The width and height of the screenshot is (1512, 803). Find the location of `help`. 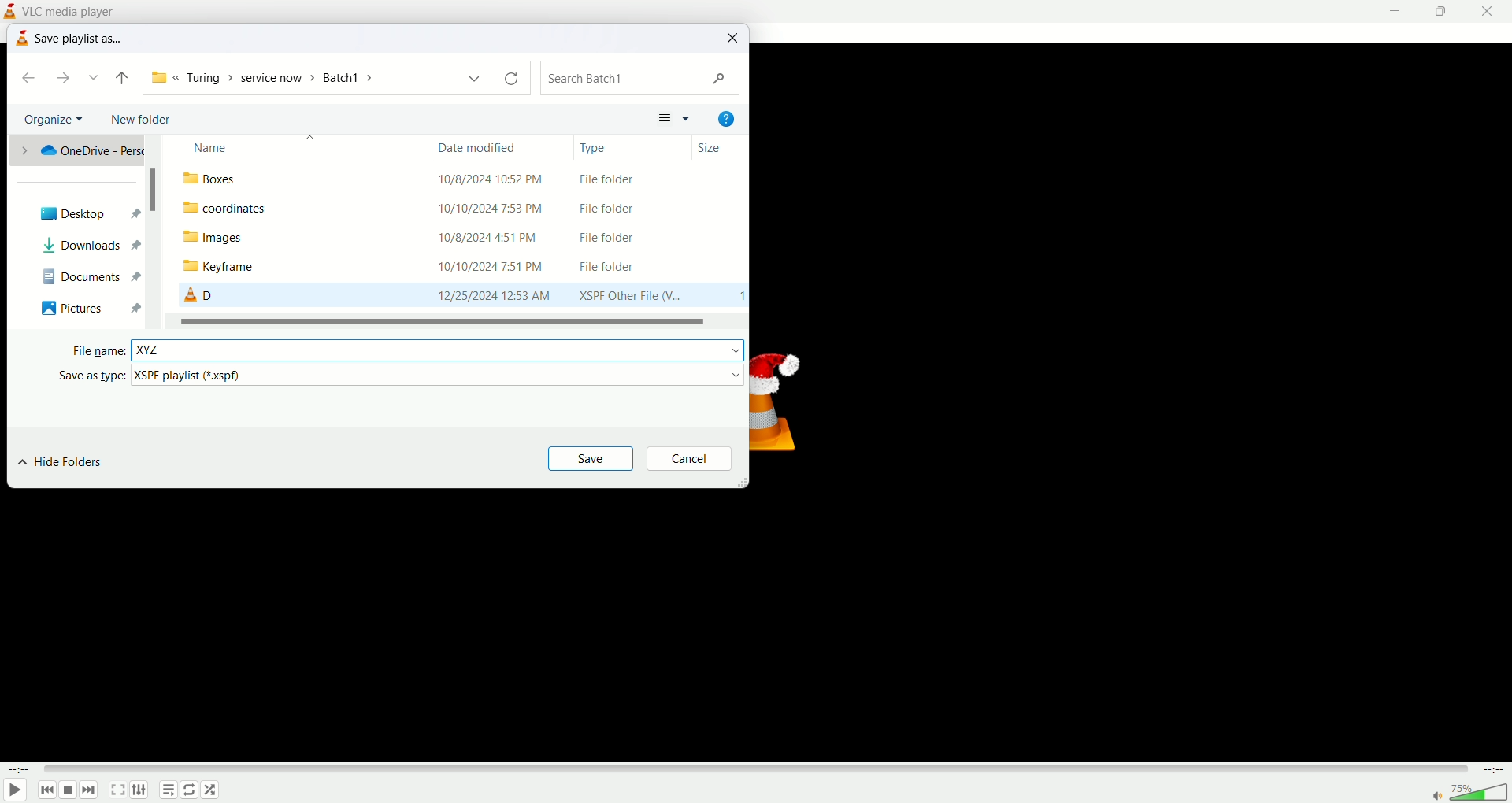

help is located at coordinates (725, 119).